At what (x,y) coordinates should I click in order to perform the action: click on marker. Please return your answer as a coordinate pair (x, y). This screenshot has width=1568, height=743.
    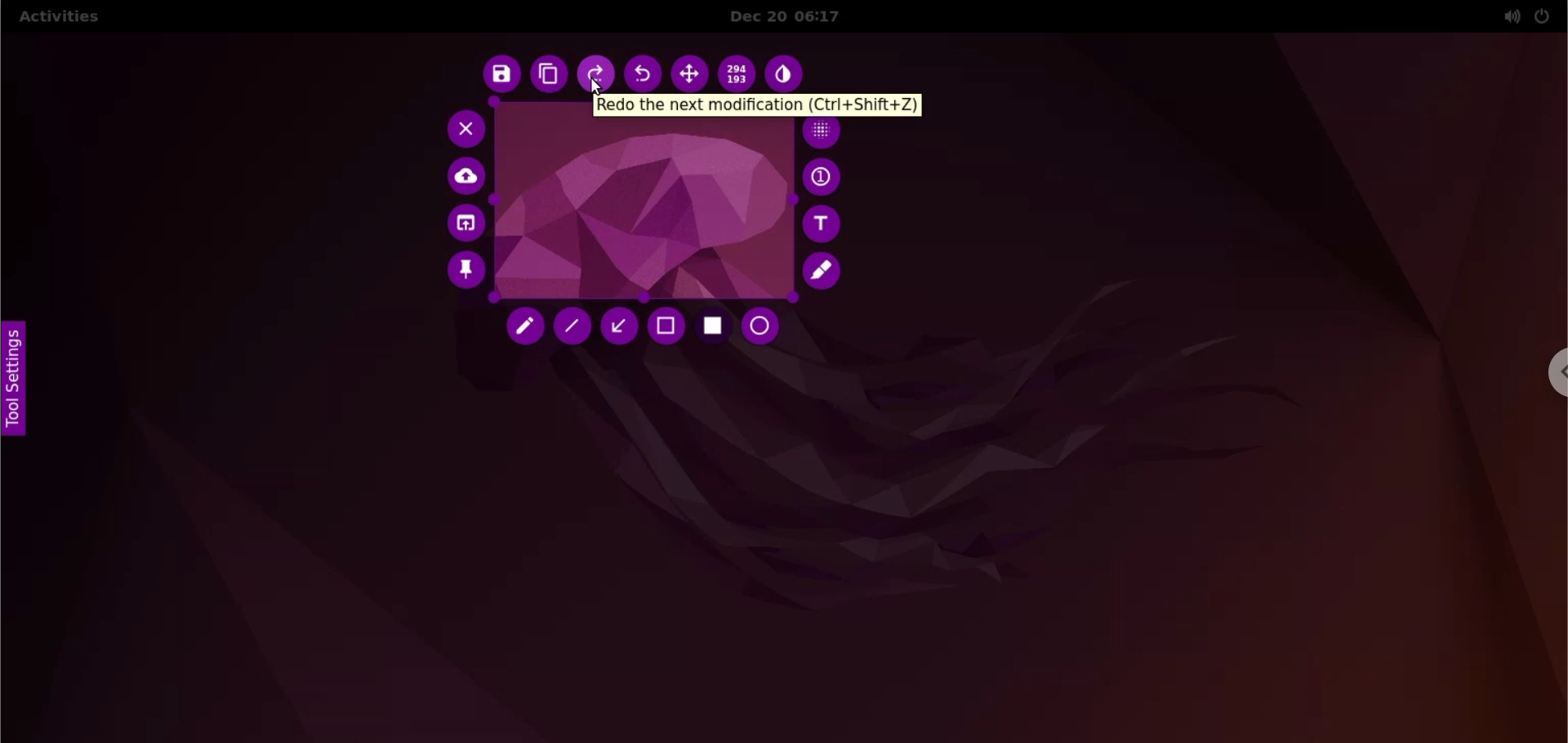
    Looking at the image, I should click on (825, 271).